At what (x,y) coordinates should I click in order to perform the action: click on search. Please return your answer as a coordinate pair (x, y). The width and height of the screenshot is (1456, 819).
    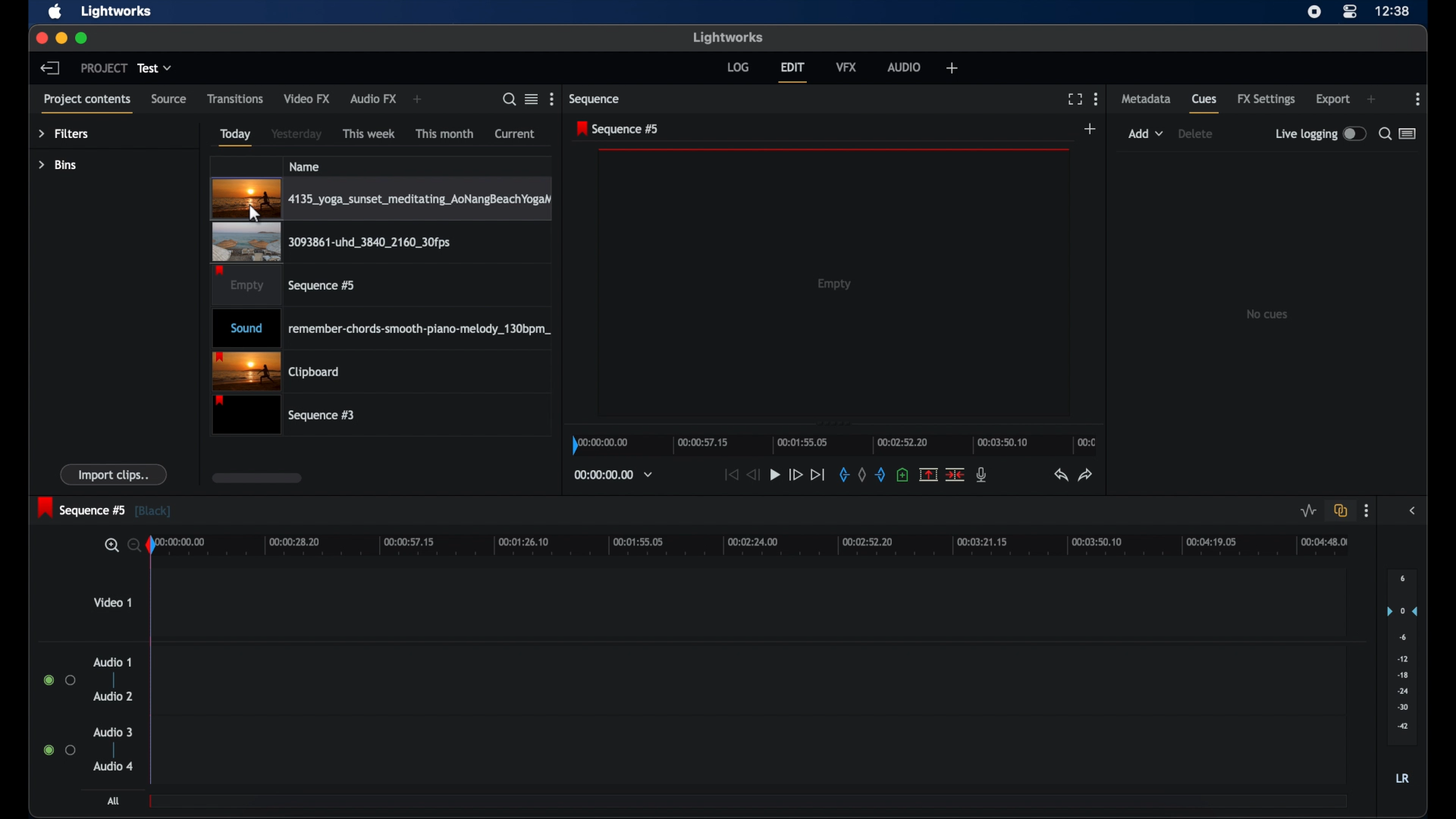
    Looking at the image, I should click on (508, 99).